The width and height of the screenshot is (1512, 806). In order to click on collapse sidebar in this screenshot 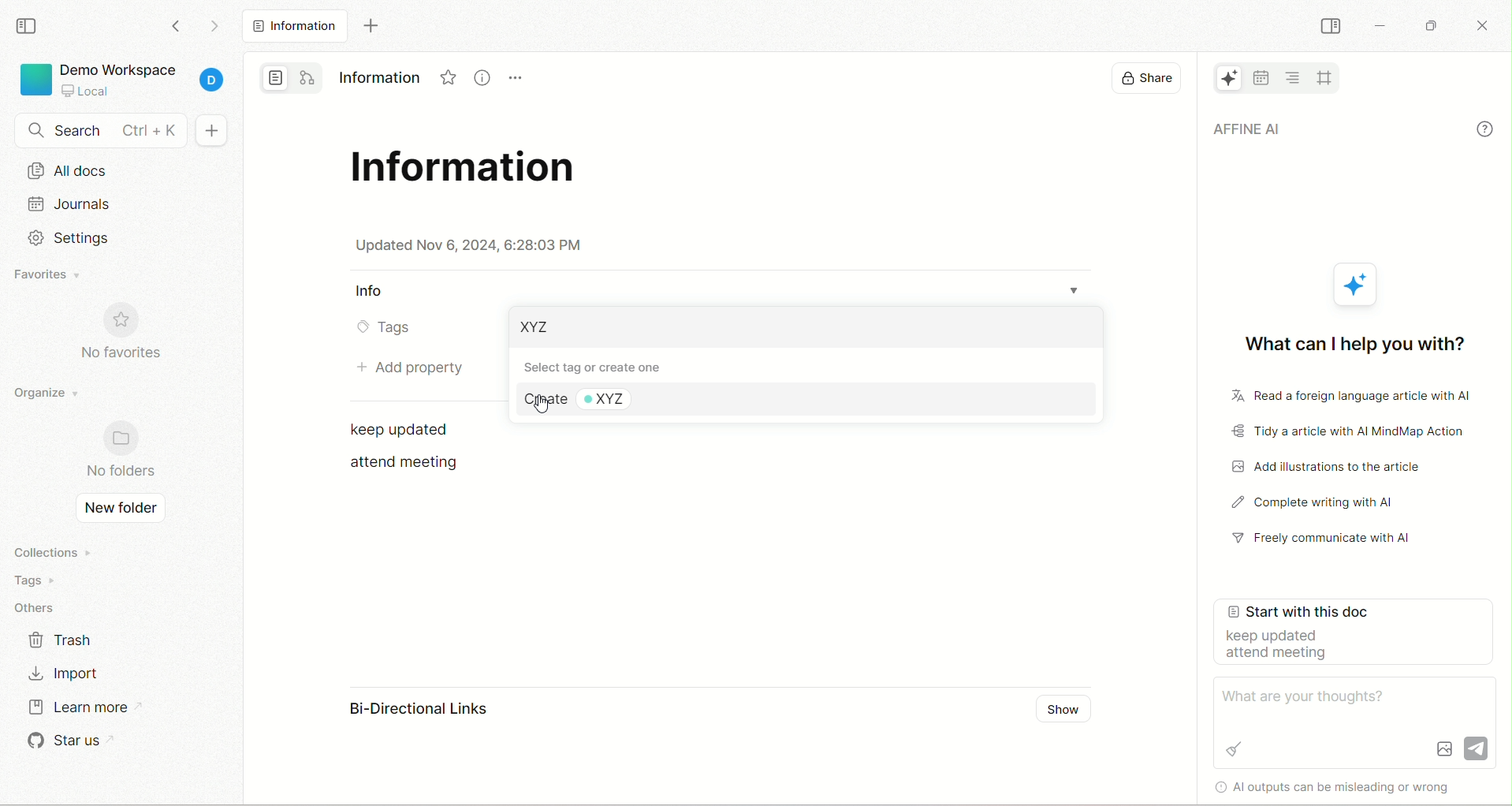, I will do `click(1330, 25)`.